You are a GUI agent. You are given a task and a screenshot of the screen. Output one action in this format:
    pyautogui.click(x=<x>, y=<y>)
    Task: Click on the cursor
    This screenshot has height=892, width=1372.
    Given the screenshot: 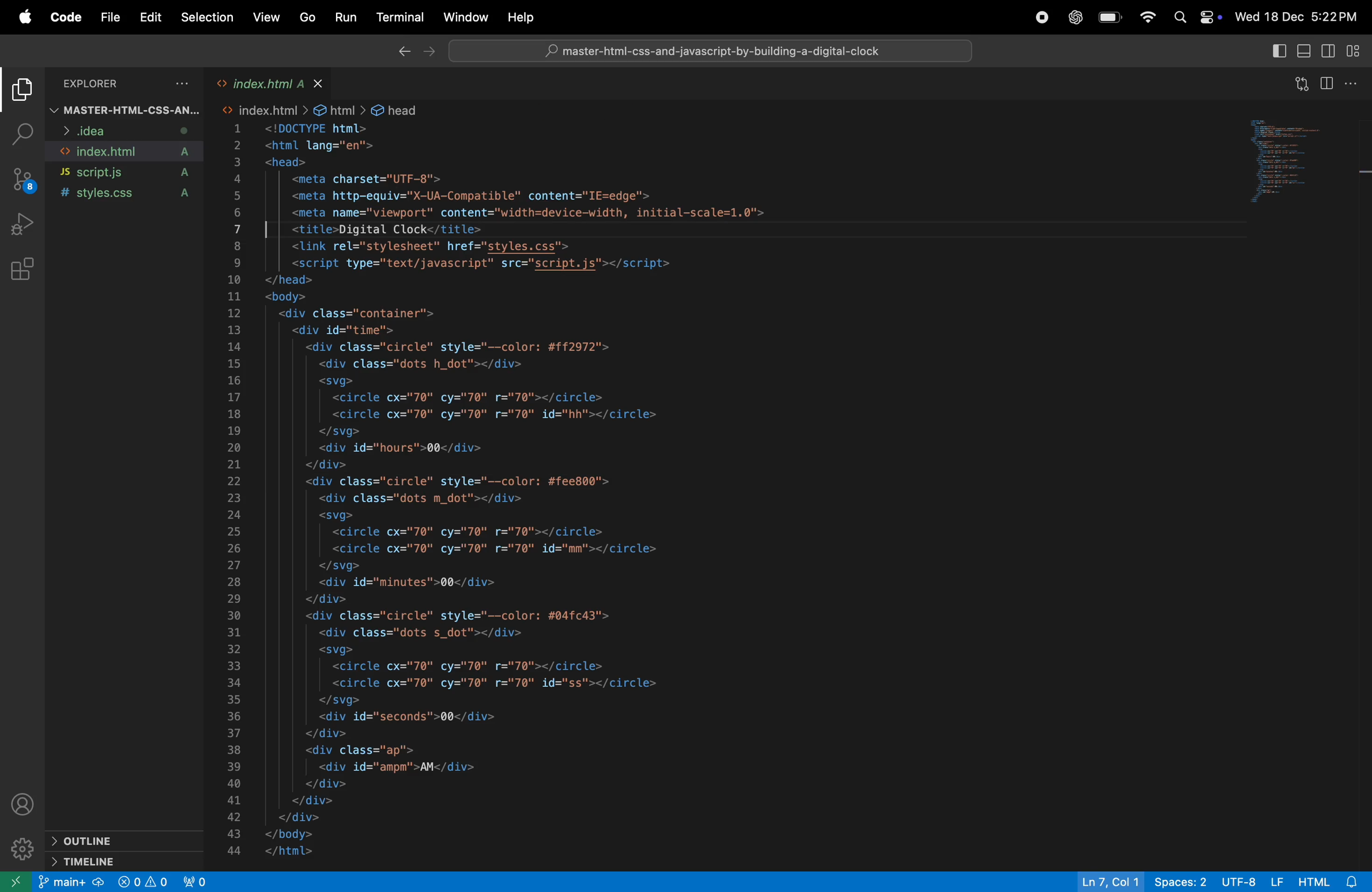 What is the action you would take?
    pyautogui.click(x=270, y=229)
    